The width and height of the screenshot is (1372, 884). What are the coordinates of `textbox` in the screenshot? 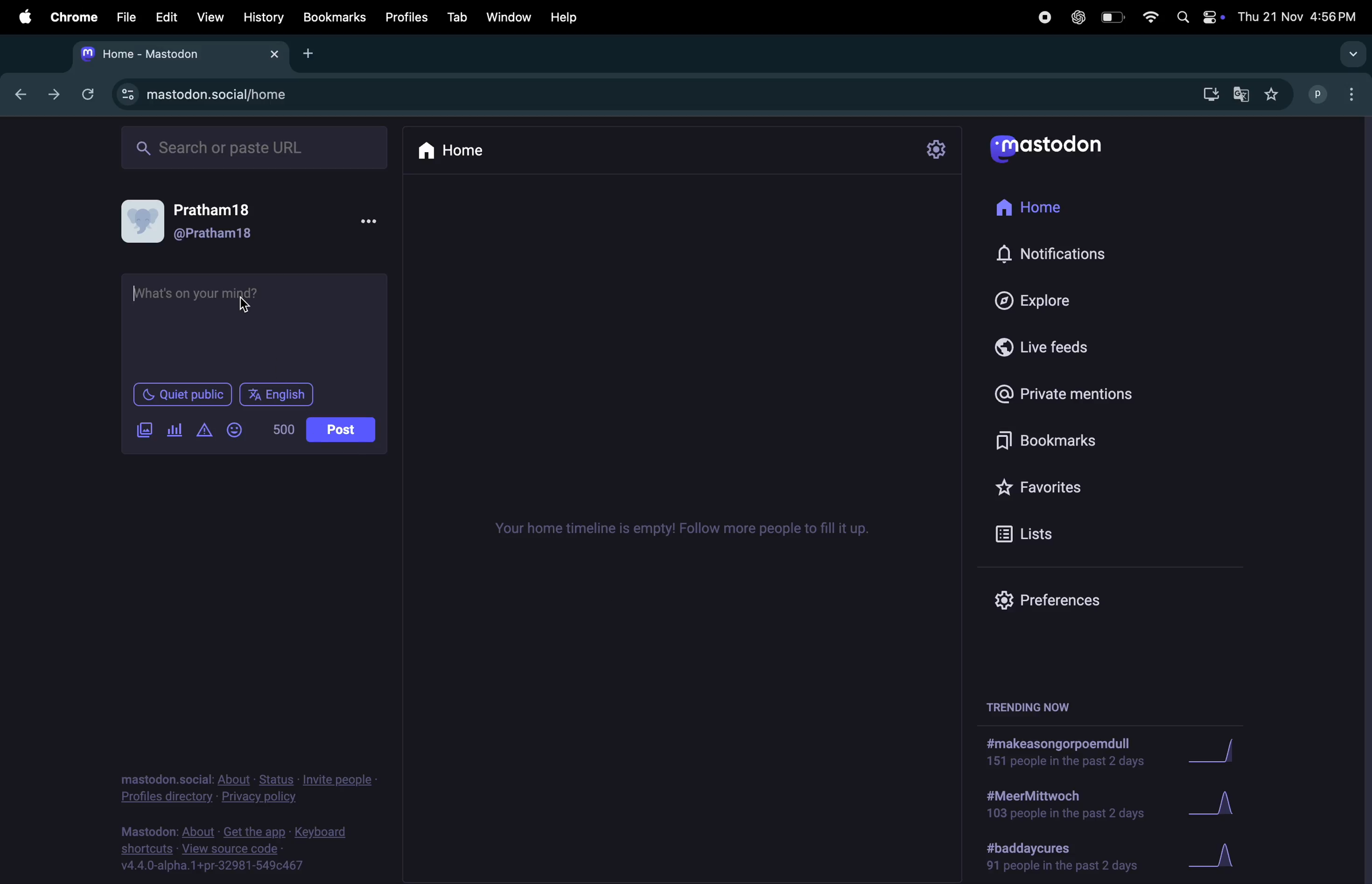 It's located at (257, 320).